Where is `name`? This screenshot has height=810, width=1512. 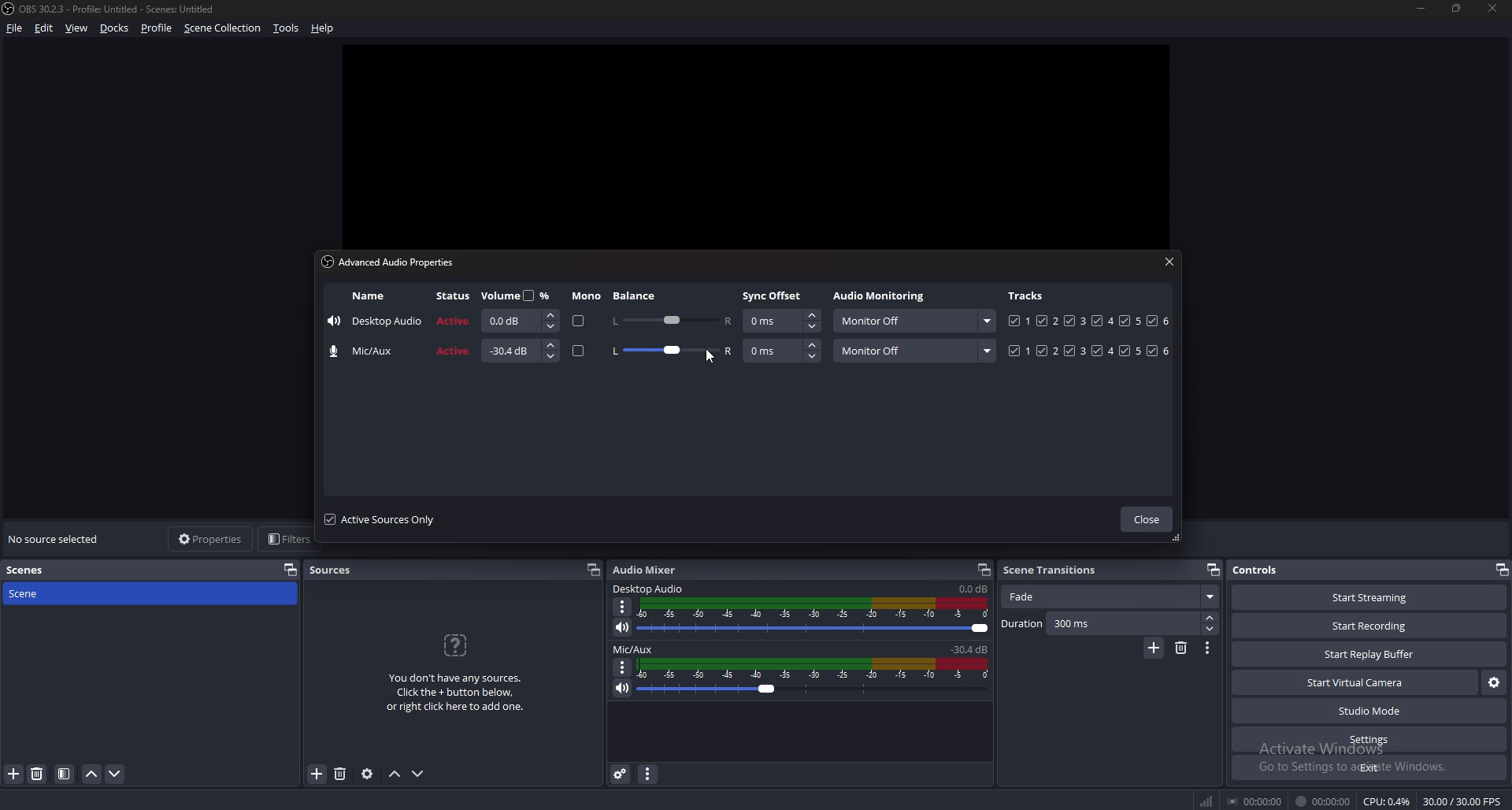
name is located at coordinates (376, 320).